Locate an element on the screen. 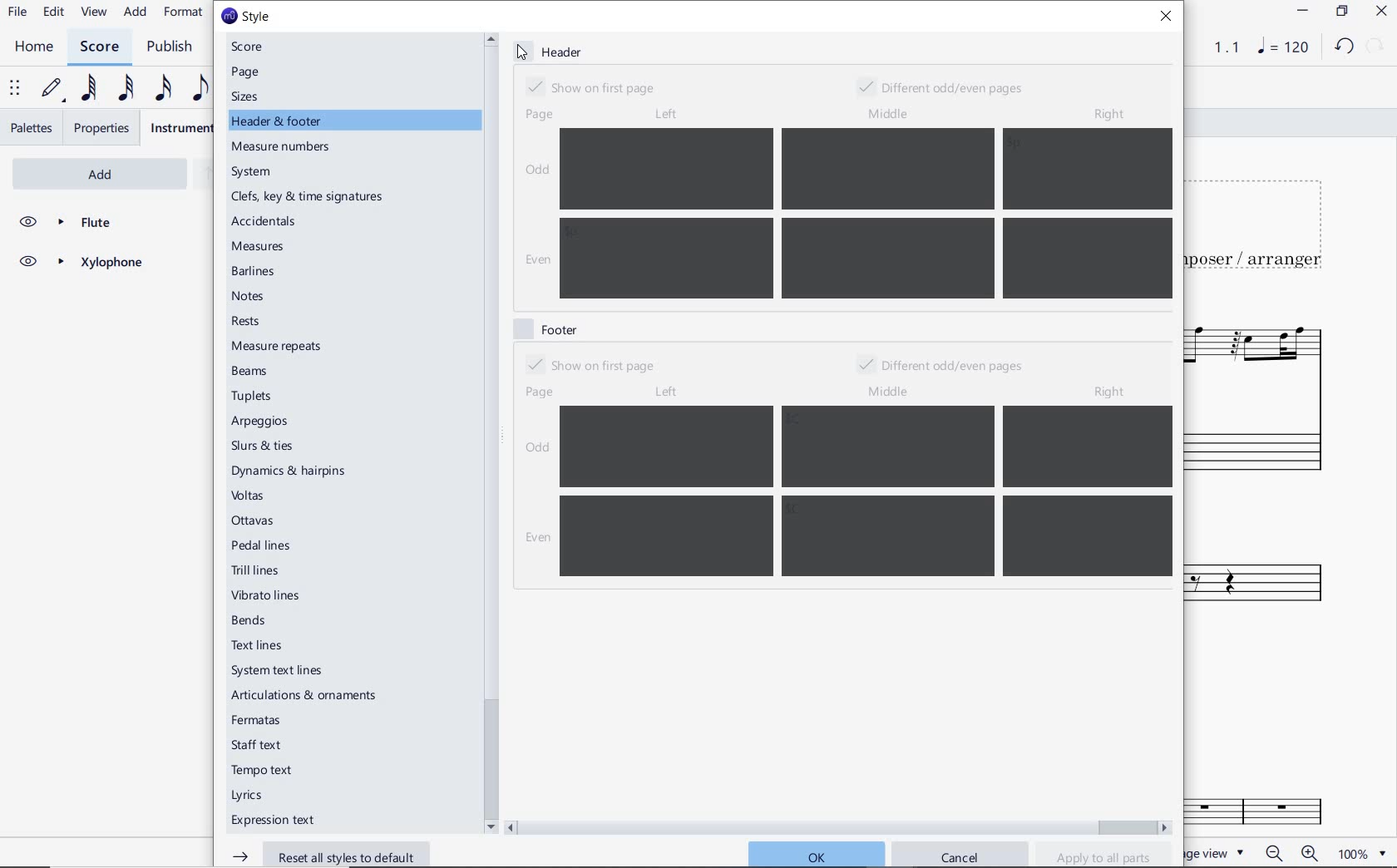 This screenshot has height=868, width=1397. ok is located at coordinates (815, 853).